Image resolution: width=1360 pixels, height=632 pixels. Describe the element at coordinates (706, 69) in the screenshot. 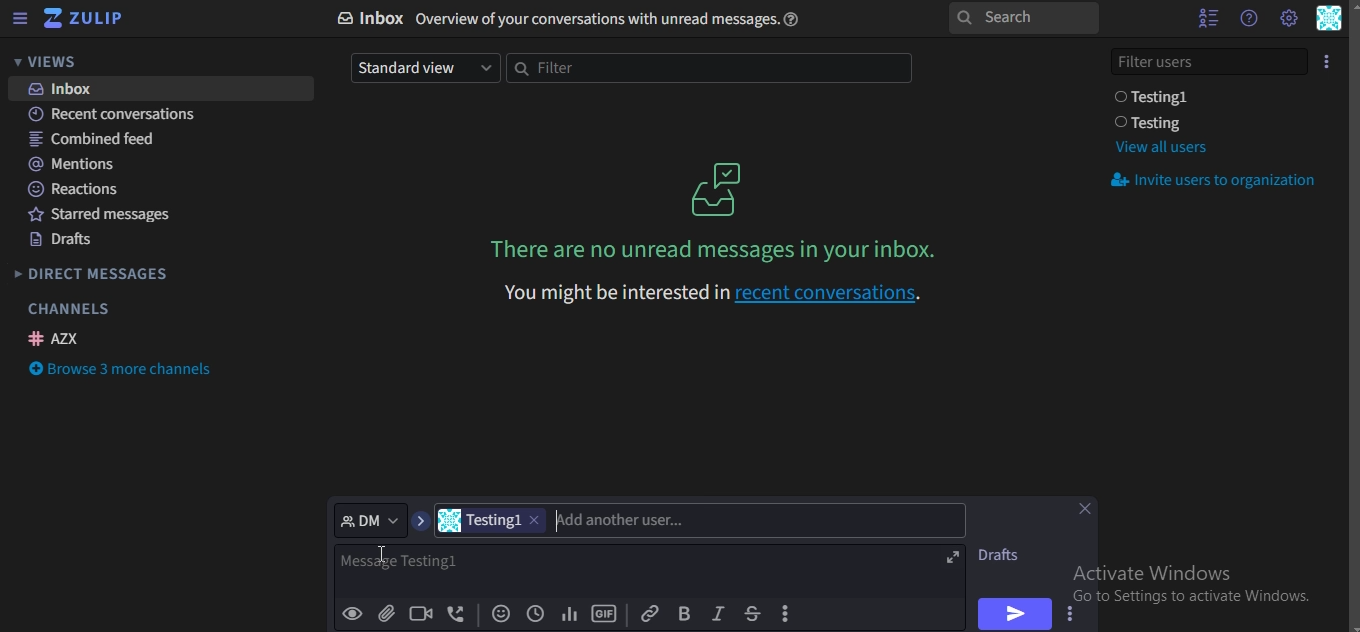

I see `filter` at that location.